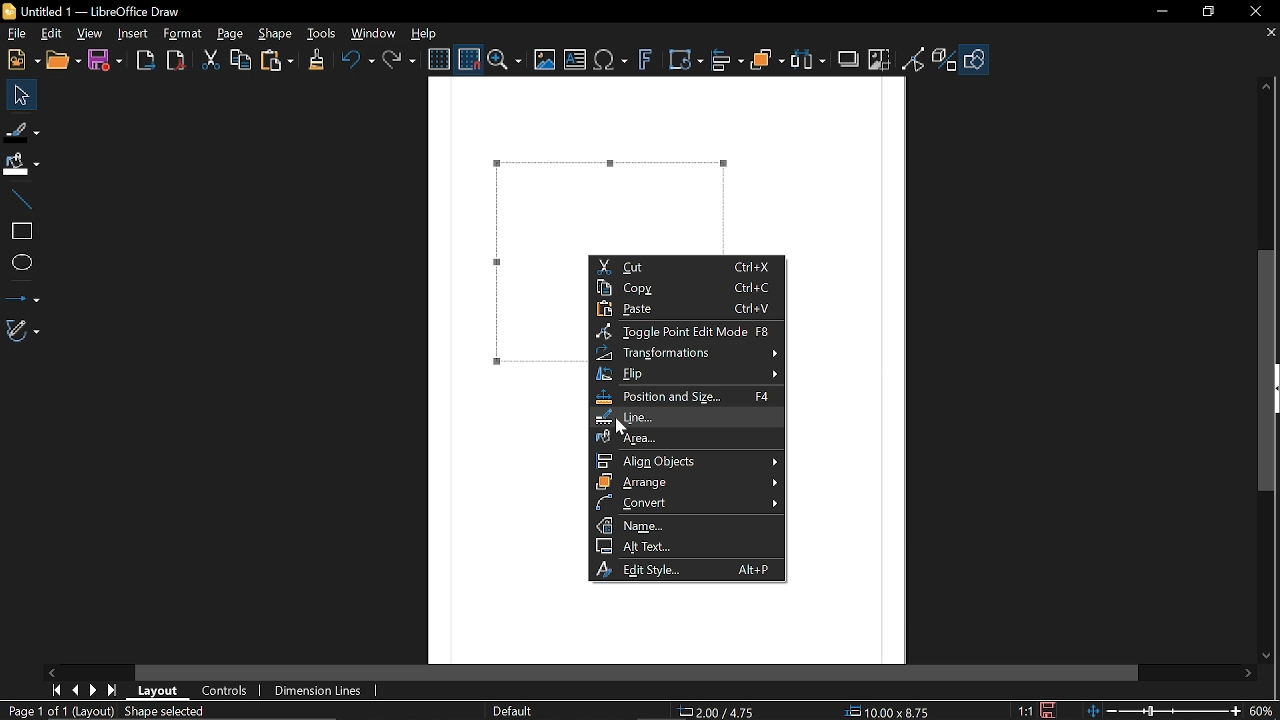 This screenshot has height=720, width=1280. I want to click on Curves and polygons, so click(23, 331).